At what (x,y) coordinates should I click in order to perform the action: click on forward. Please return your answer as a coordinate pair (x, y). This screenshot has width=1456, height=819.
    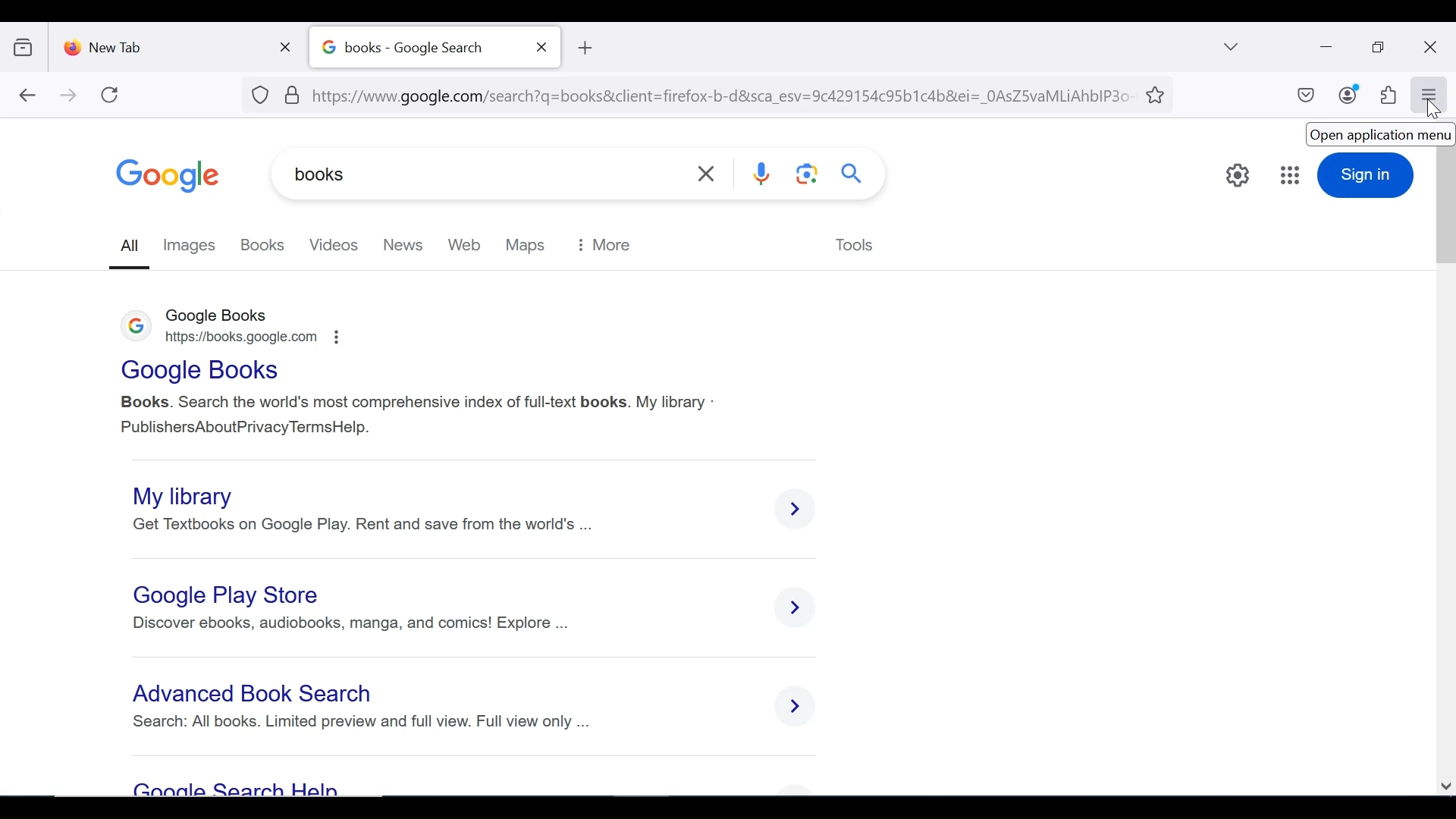
    Looking at the image, I should click on (69, 96).